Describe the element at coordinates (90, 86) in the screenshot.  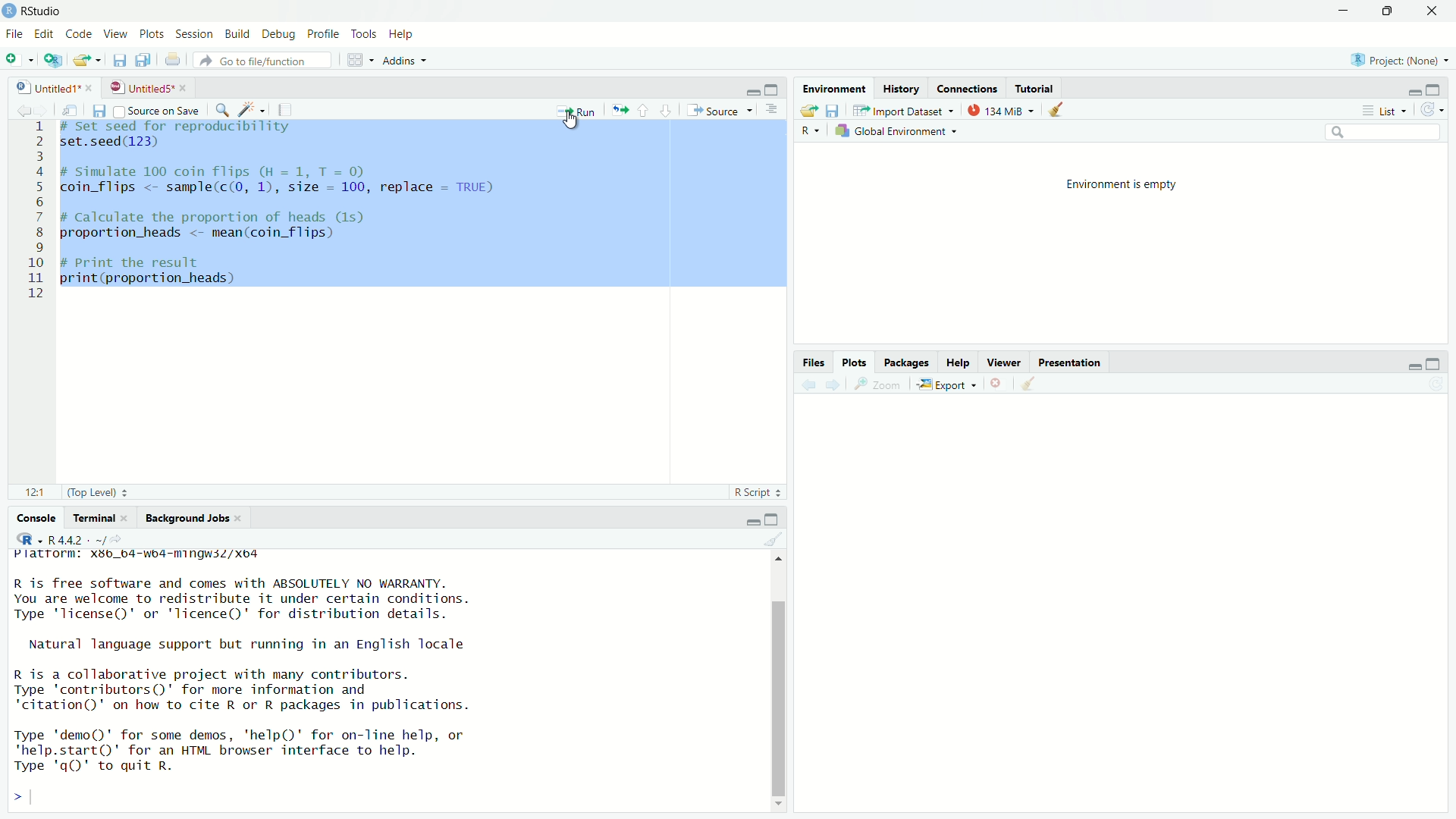
I see `close` at that location.